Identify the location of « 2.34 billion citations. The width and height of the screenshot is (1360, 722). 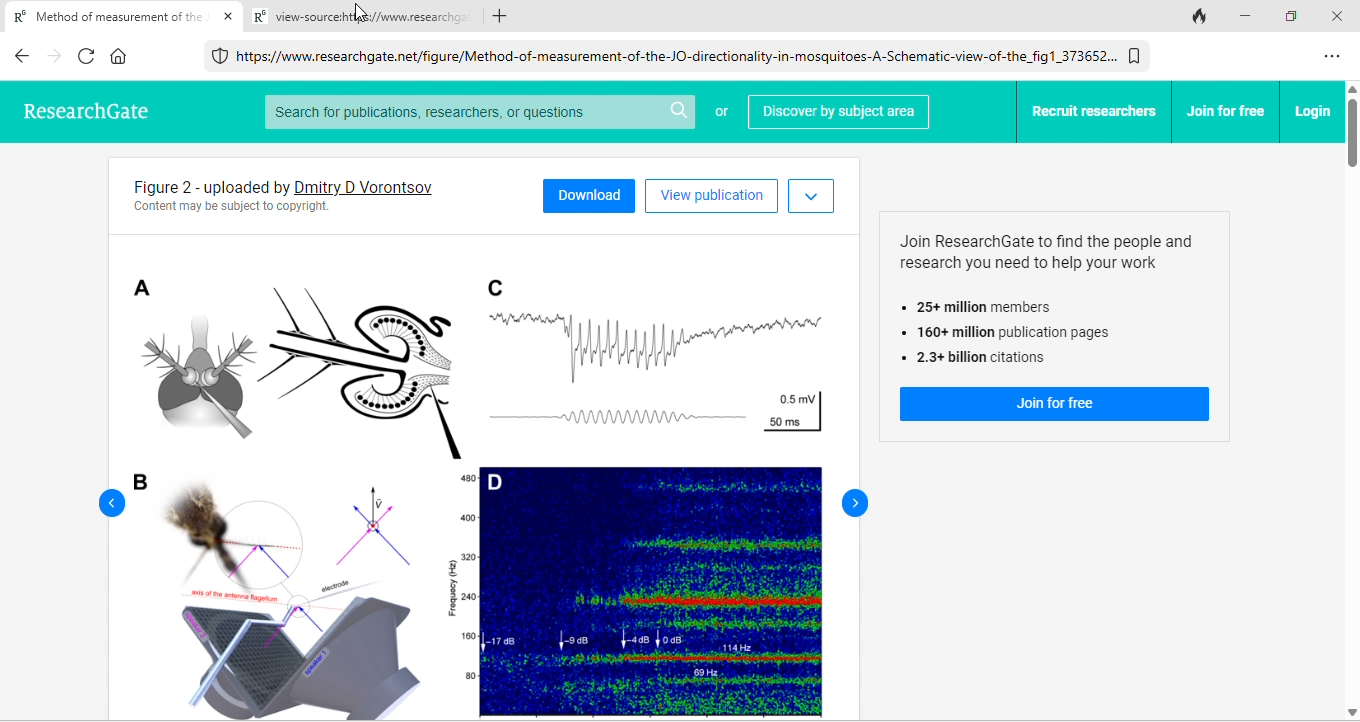
(978, 360).